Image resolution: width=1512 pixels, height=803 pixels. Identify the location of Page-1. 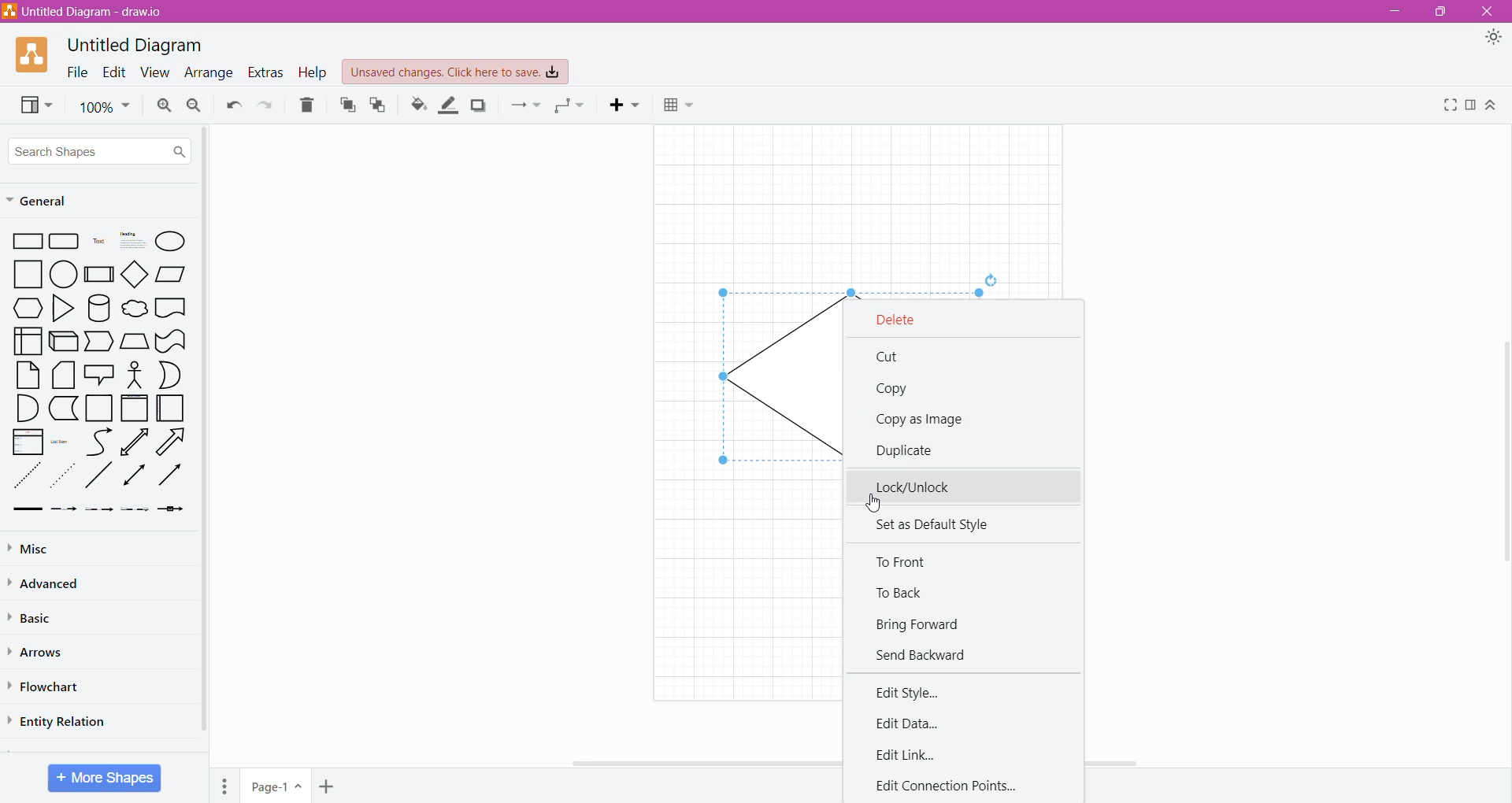
(274, 786).